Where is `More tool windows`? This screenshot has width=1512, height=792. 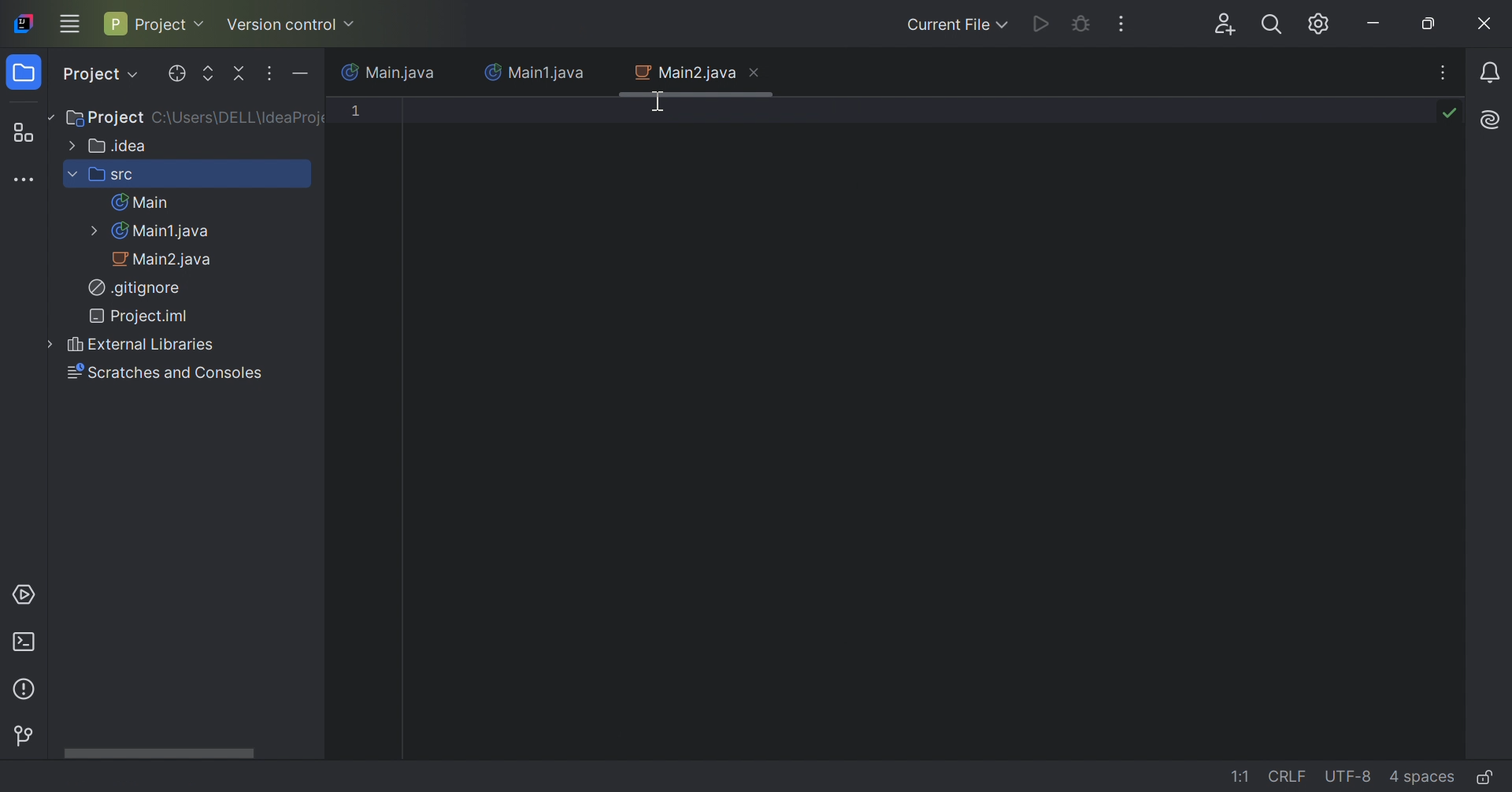
More tool windows is located at coordinates (28, 181).